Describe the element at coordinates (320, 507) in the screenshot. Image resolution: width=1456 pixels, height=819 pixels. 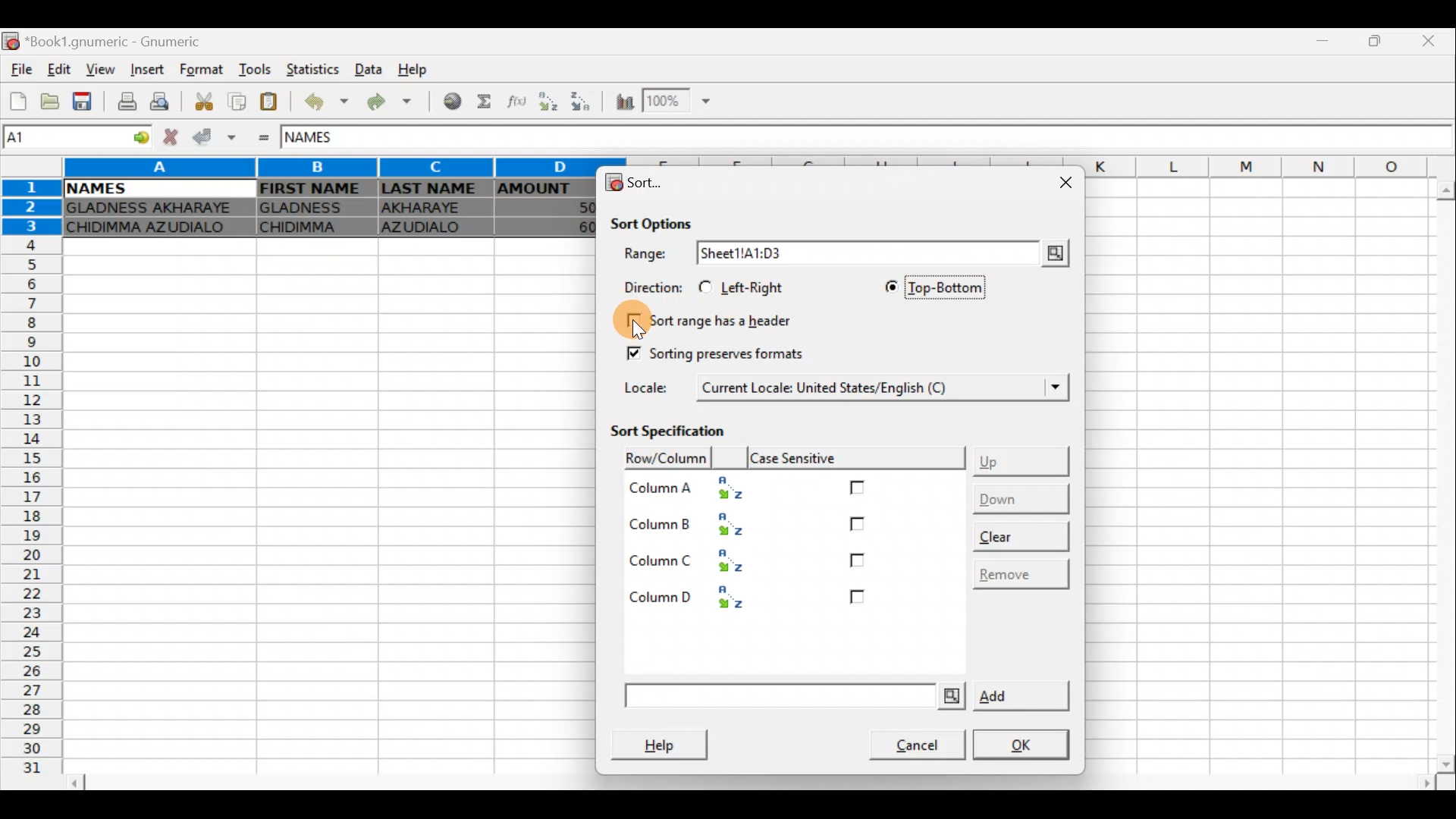
I see `Cells` at that location.